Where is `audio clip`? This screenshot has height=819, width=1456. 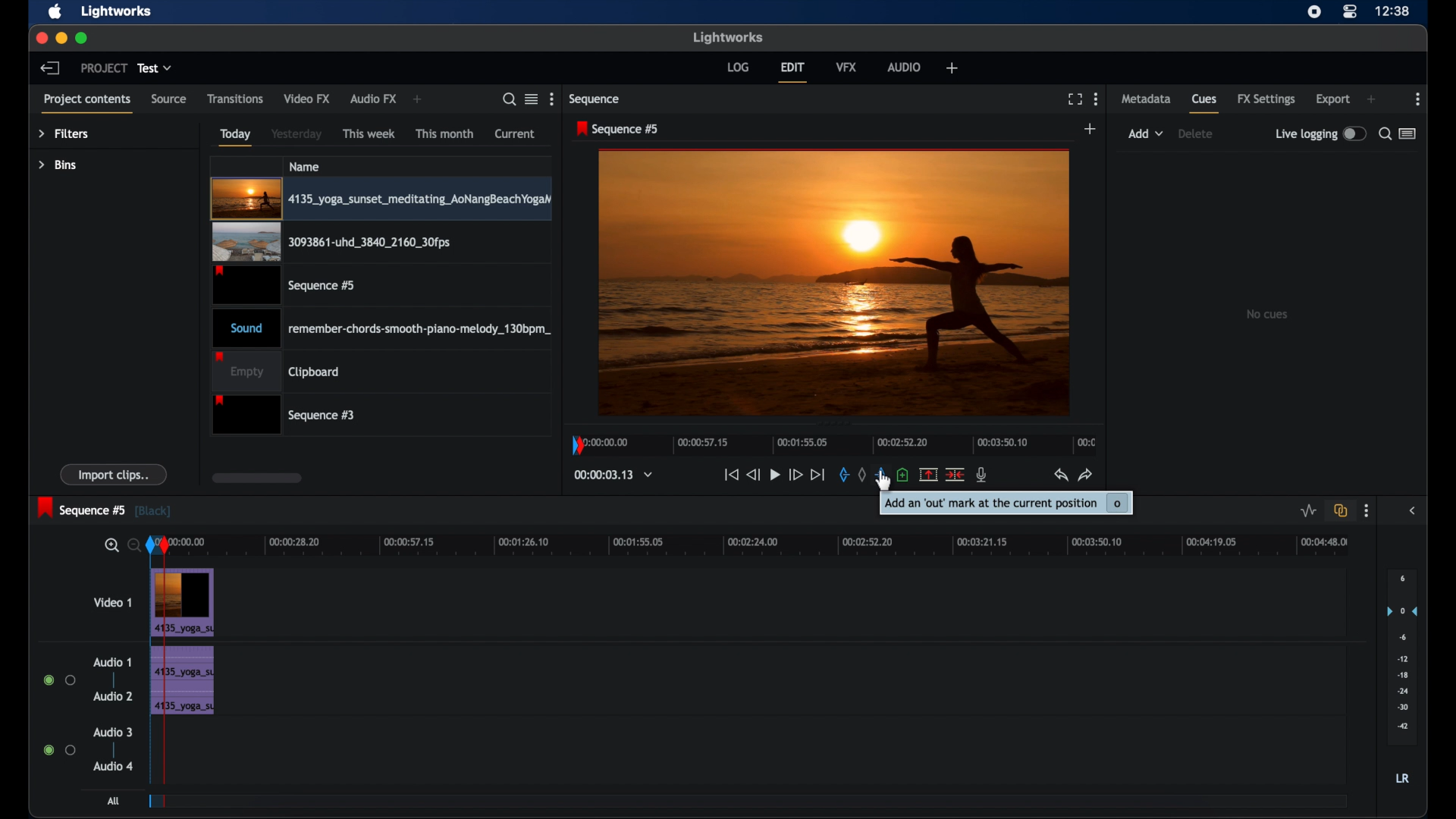
audio clip is located at coordinates (381, 328).